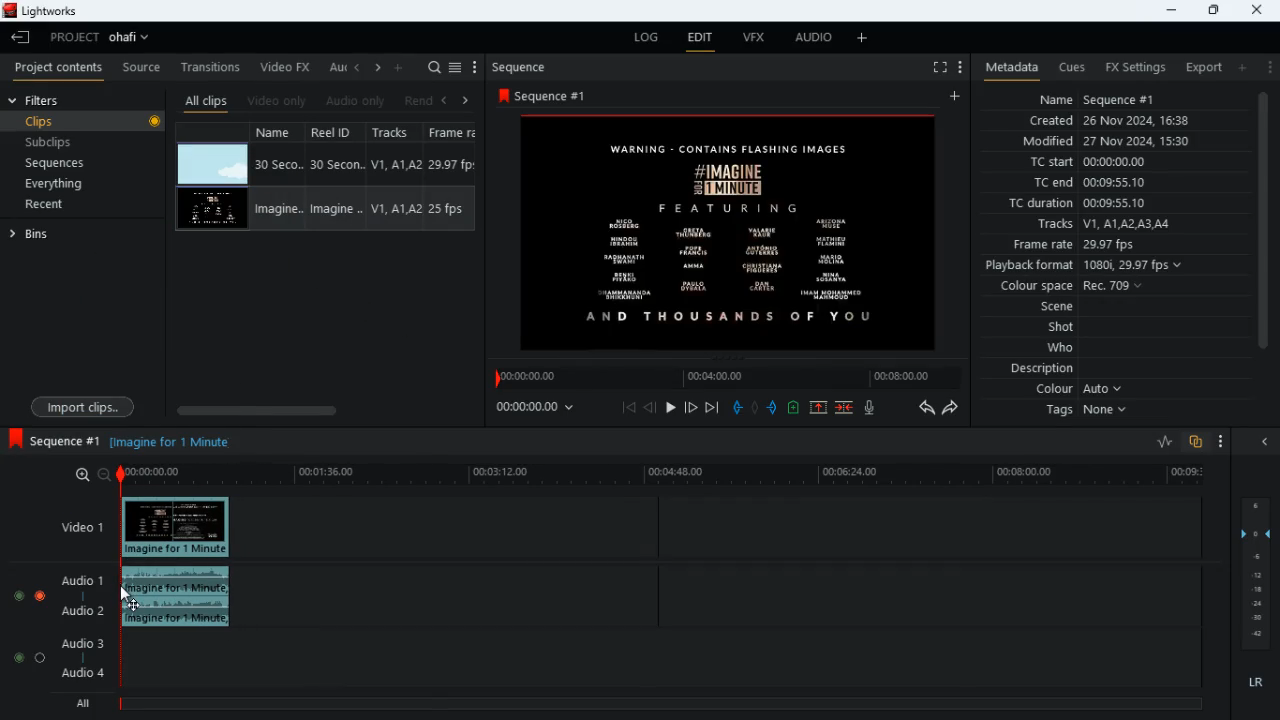 The height and width of the screenshot is (720, 1280). I want to click on colour space, so click(1066, 287).